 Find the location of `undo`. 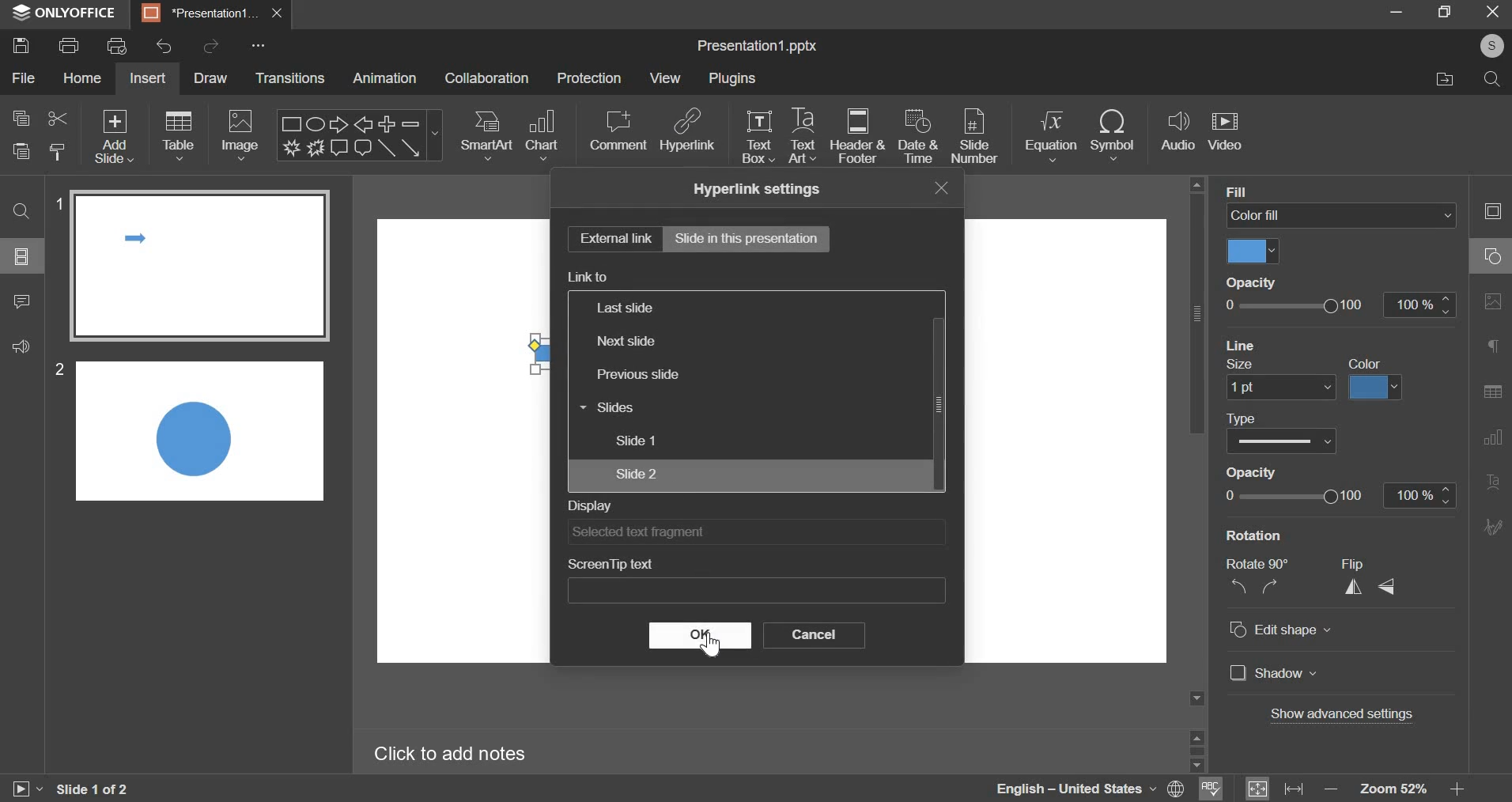

undo is located at coordinates (168, 44).